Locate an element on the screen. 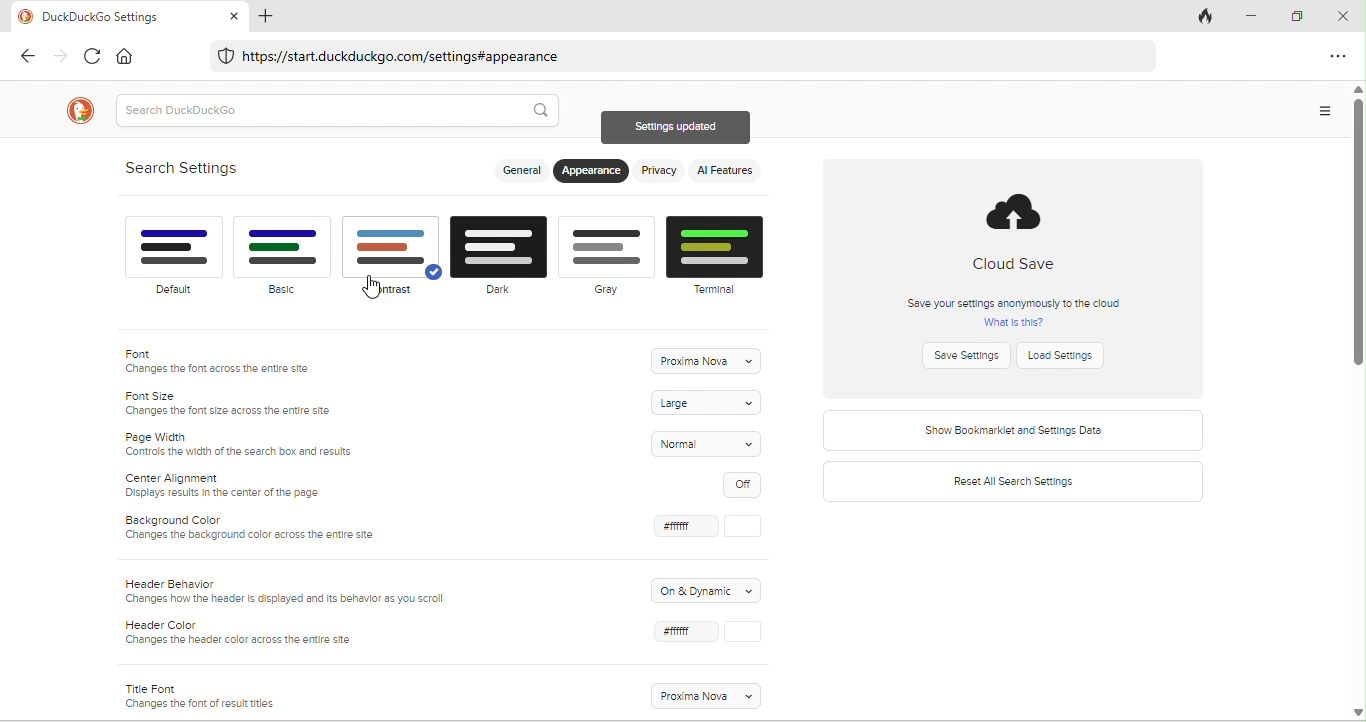  font size is located at coordinates (234, 403).